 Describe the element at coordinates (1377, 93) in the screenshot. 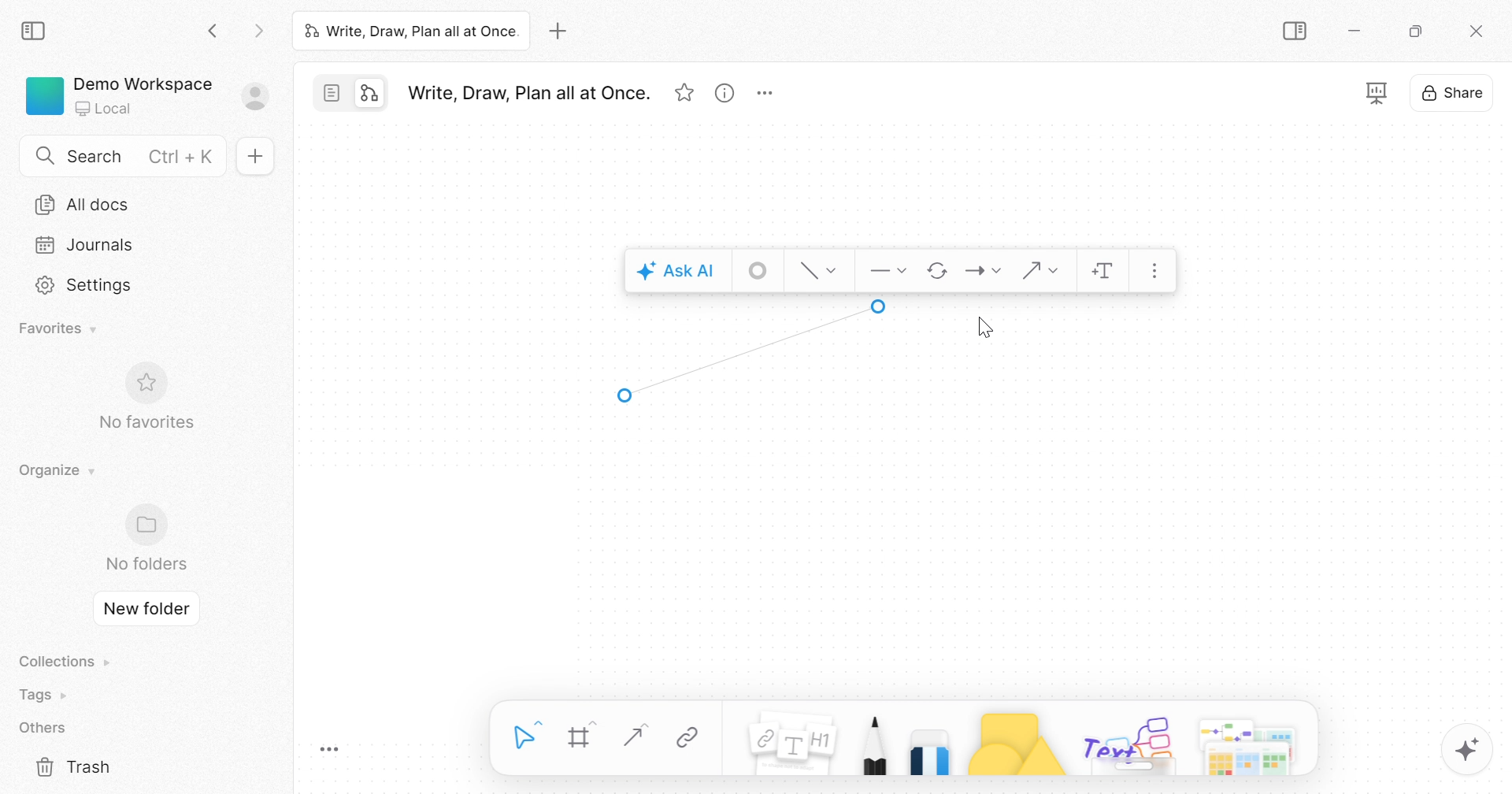

I see `Fullscreen` at that location.